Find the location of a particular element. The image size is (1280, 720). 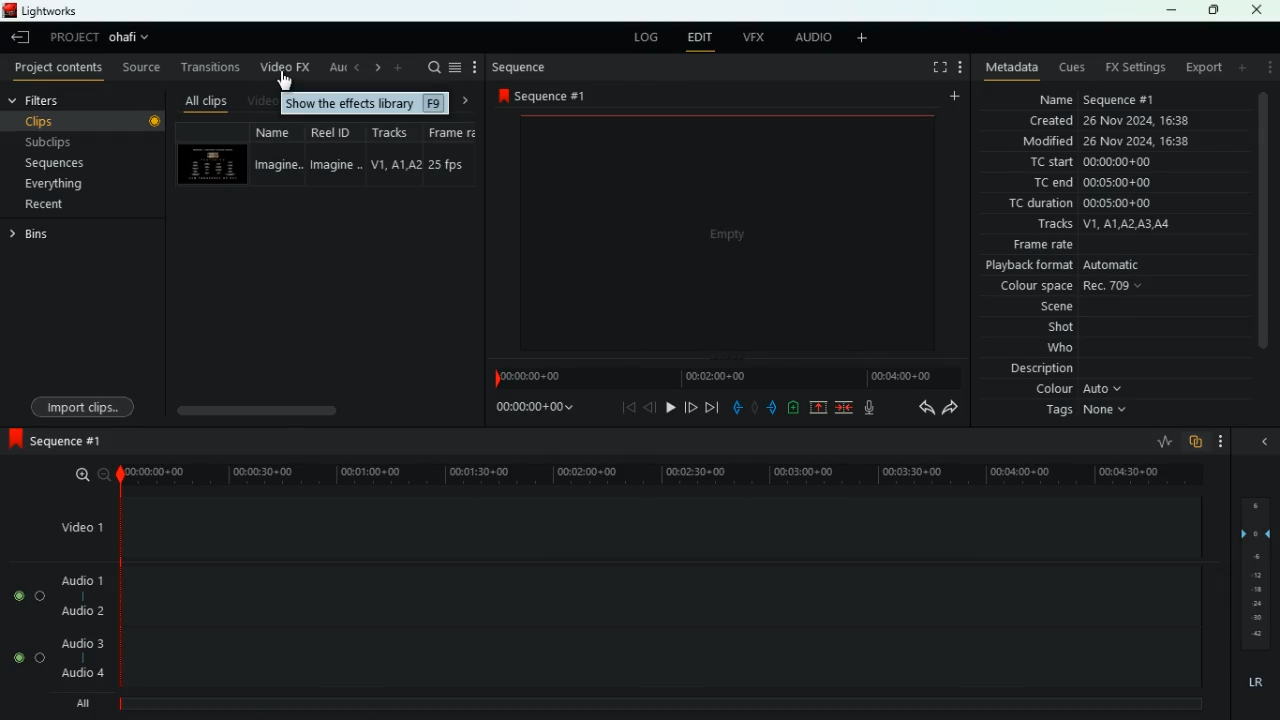

fx settings is located at coordinates (1137, 67).